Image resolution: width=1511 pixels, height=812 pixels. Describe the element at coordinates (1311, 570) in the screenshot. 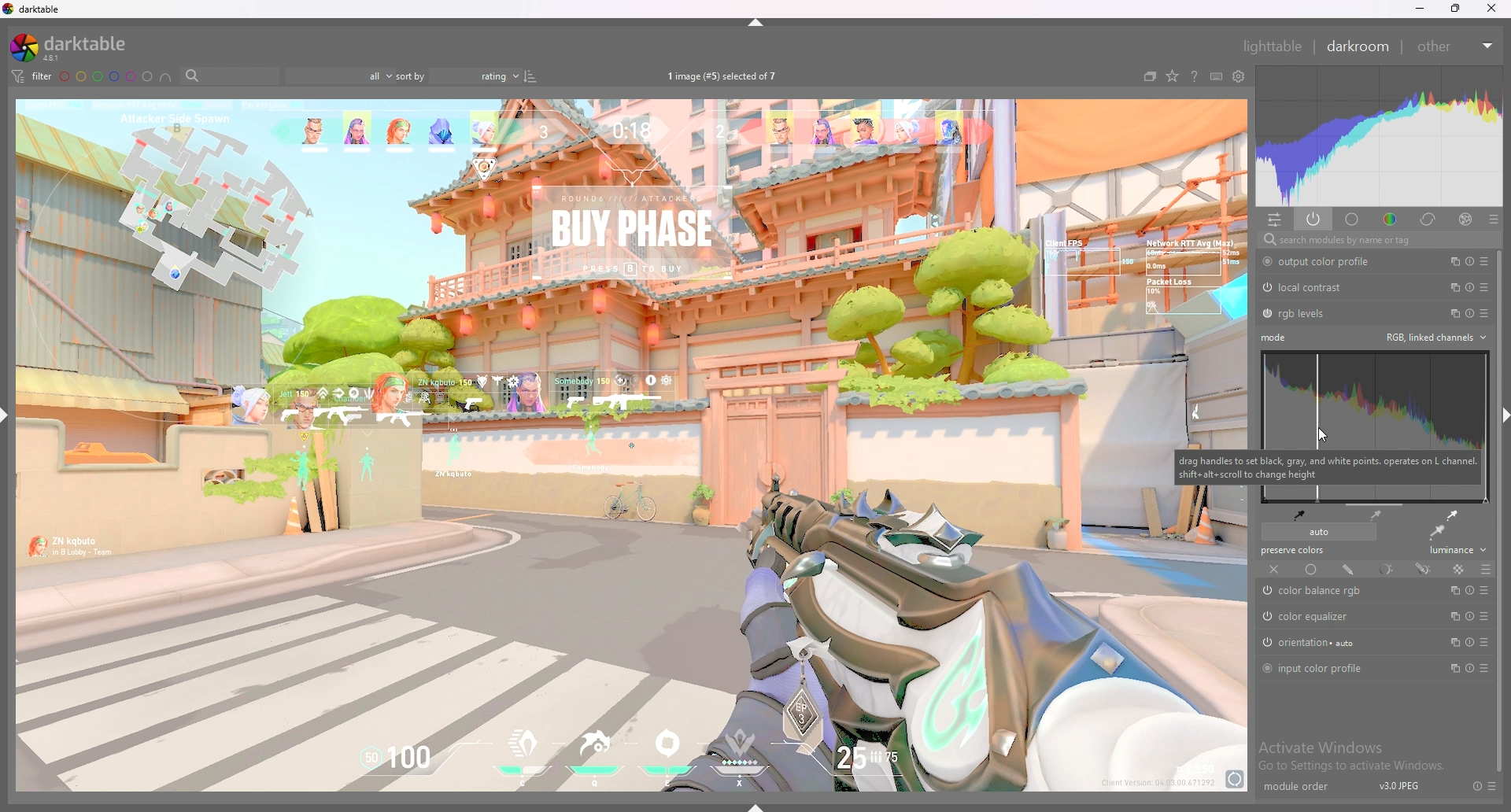

I see `uniformly` at that location.